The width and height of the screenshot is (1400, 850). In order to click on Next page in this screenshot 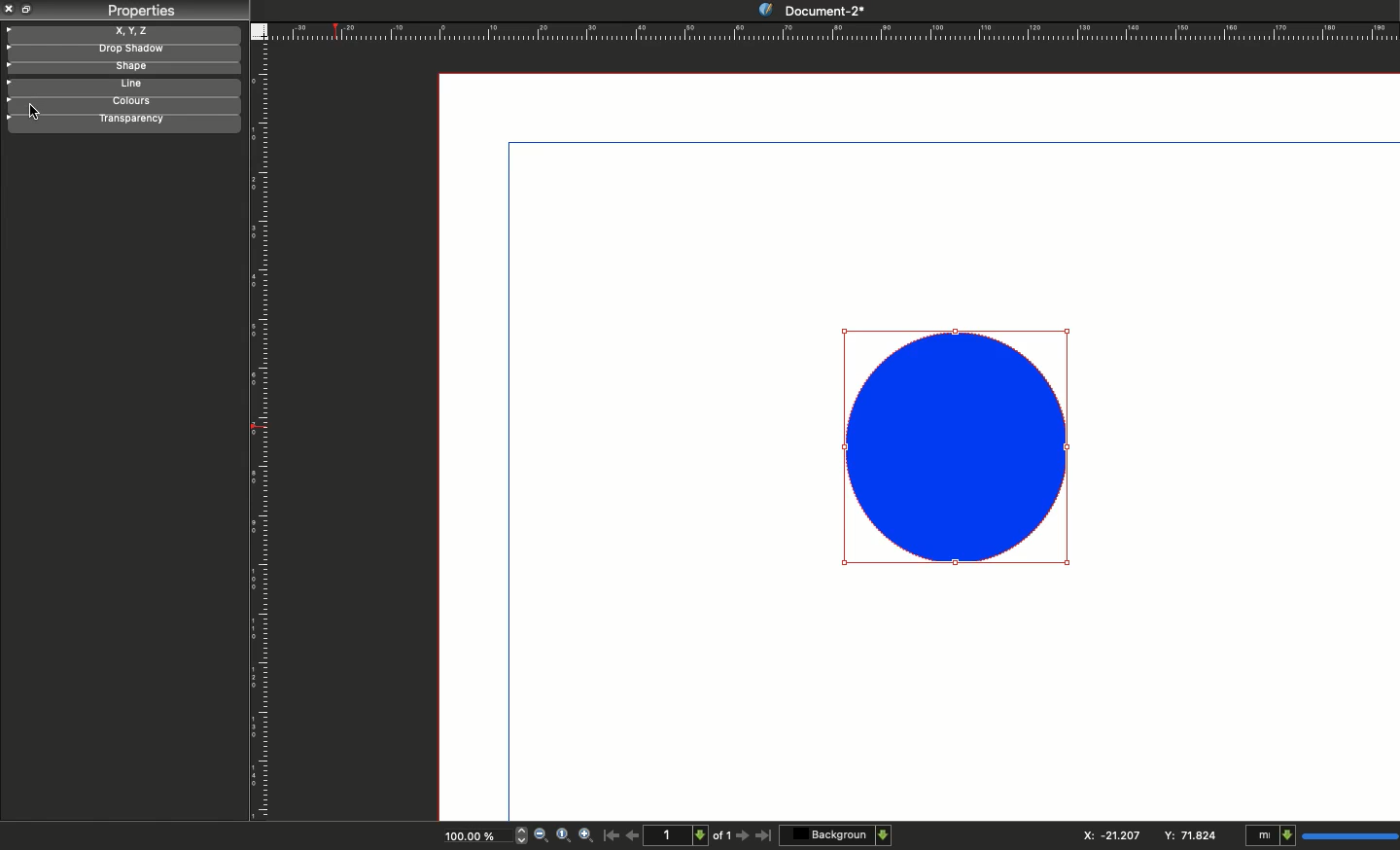, I will do `click(745, 836)`.